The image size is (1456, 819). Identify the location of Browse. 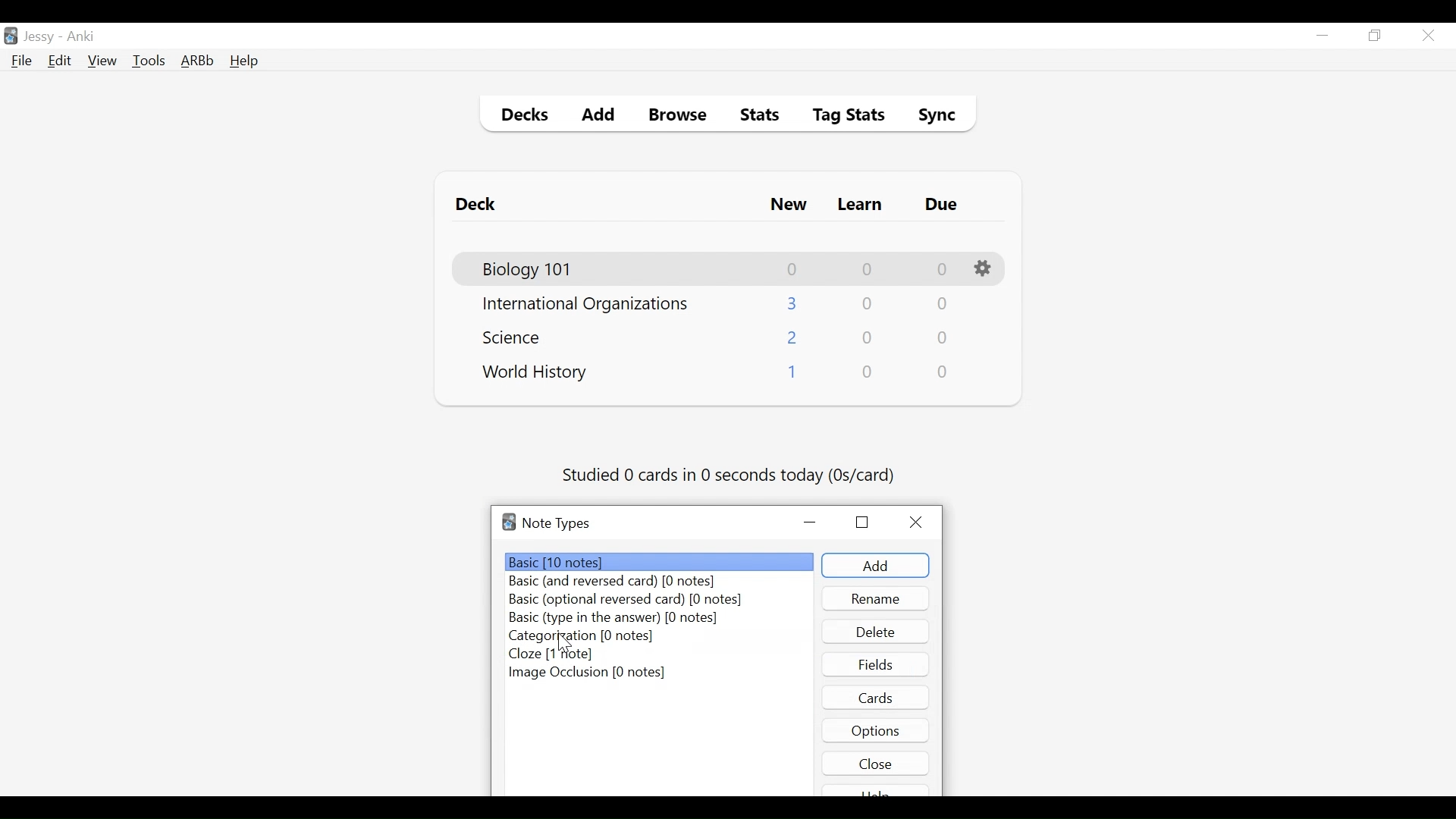
(680, 117).